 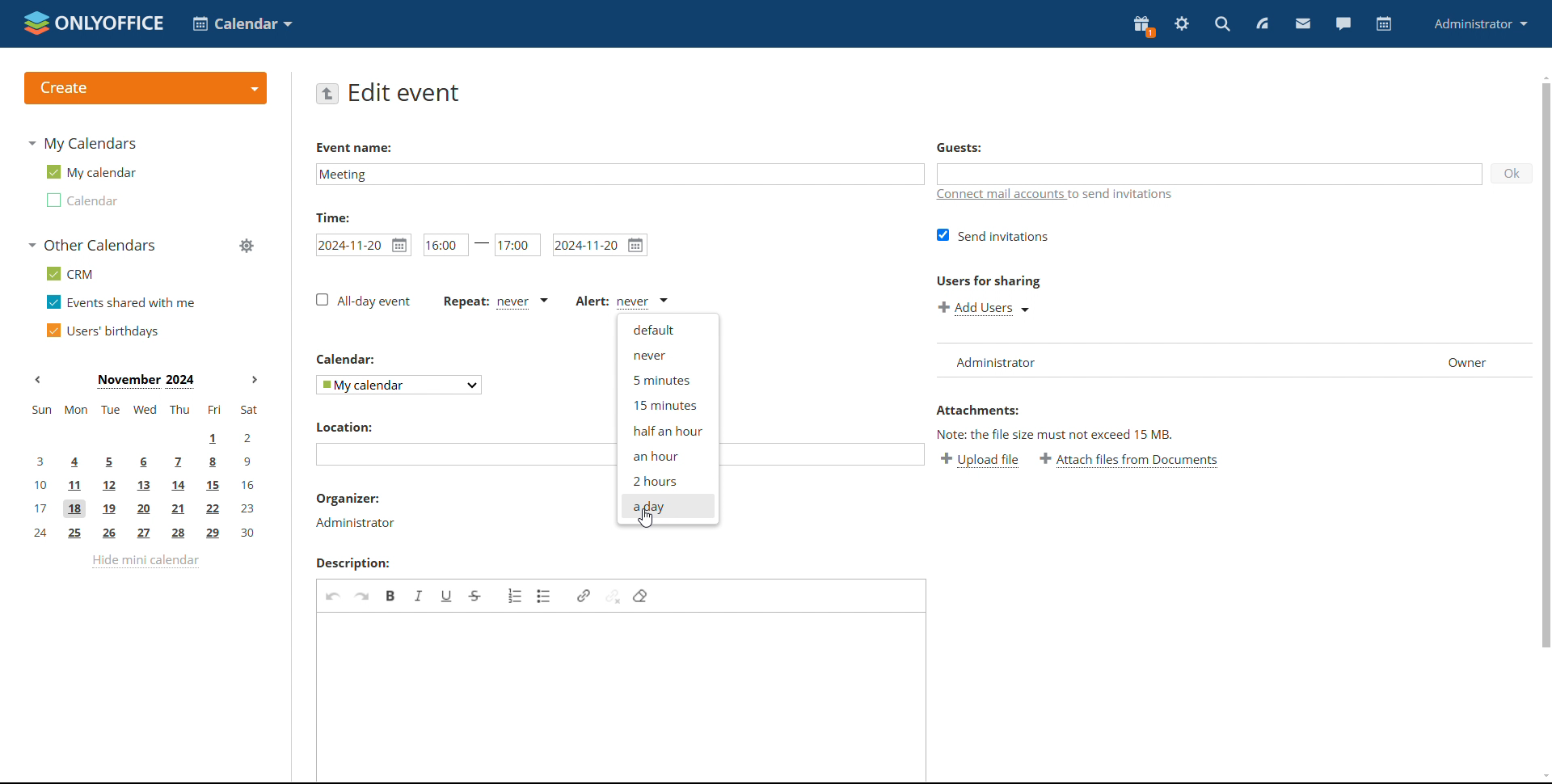 What do you see at coordinates (495, 302) in the screenshot?
I see `event repetition` at bounding box center [495, 302].